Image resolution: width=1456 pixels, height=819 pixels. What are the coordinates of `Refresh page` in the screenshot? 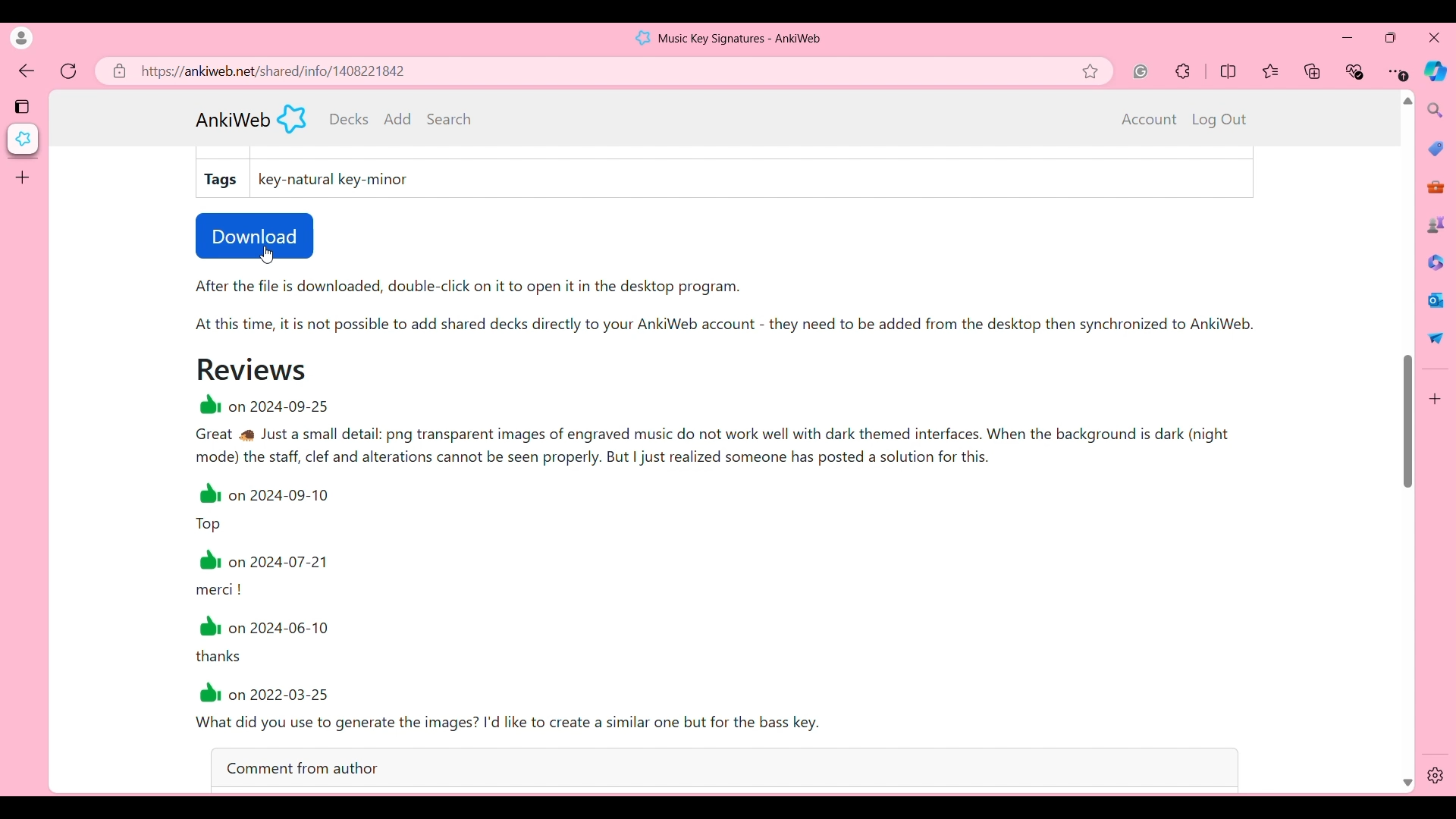 It's located at (69, 71).